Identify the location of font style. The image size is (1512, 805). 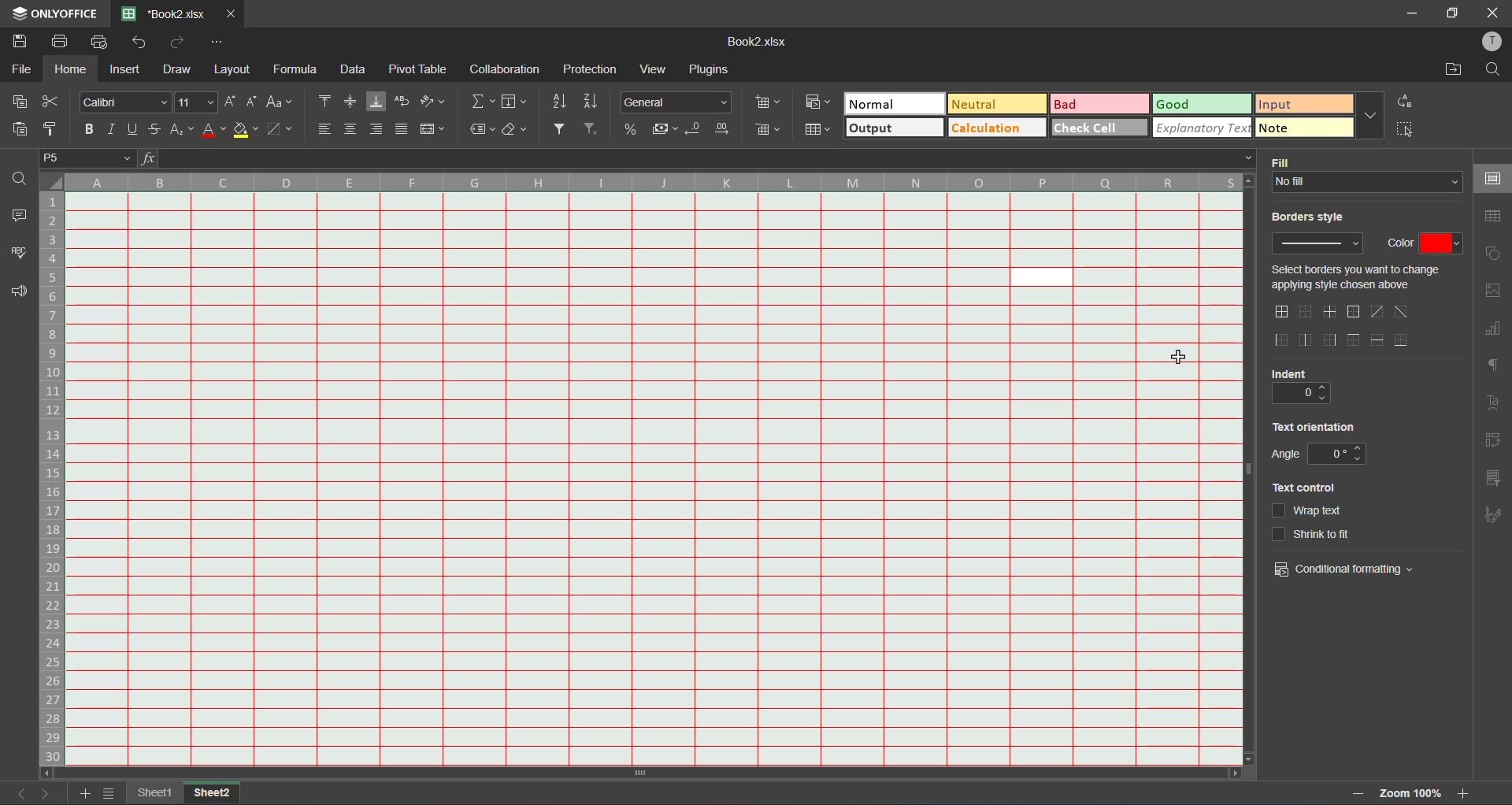
(126, 103).